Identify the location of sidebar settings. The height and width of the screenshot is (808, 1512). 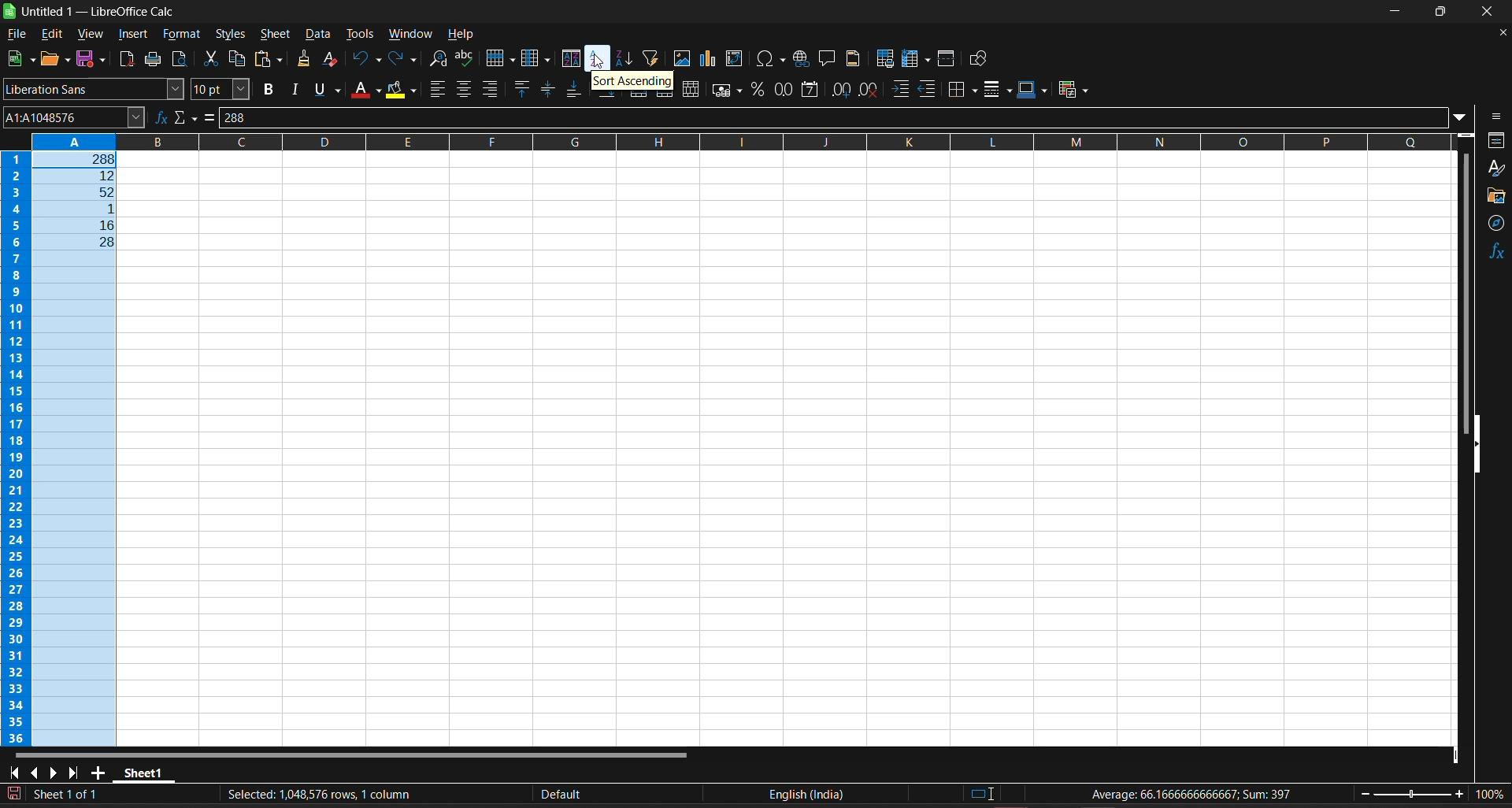
(1497, 116).